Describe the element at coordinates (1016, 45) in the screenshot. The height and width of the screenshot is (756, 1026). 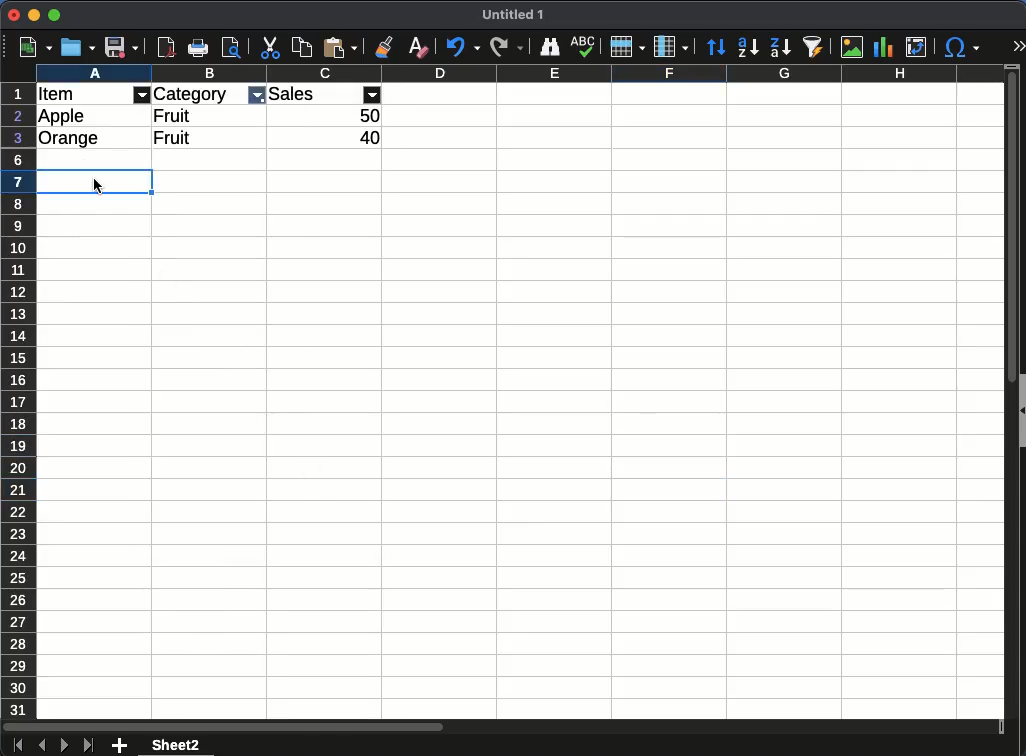
I see `expand` at that location.